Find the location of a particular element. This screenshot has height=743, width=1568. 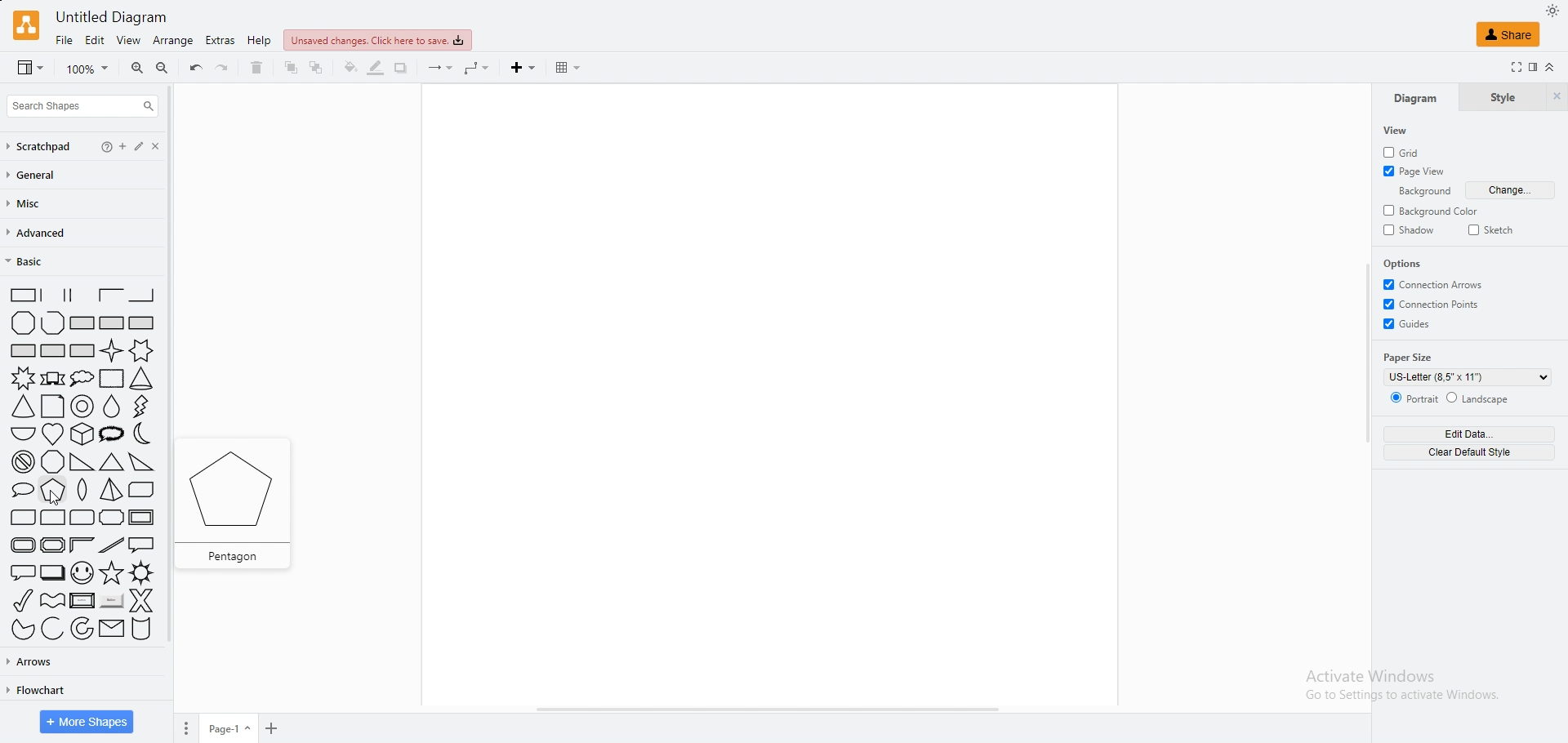

help is located at coordinates (260, 41).